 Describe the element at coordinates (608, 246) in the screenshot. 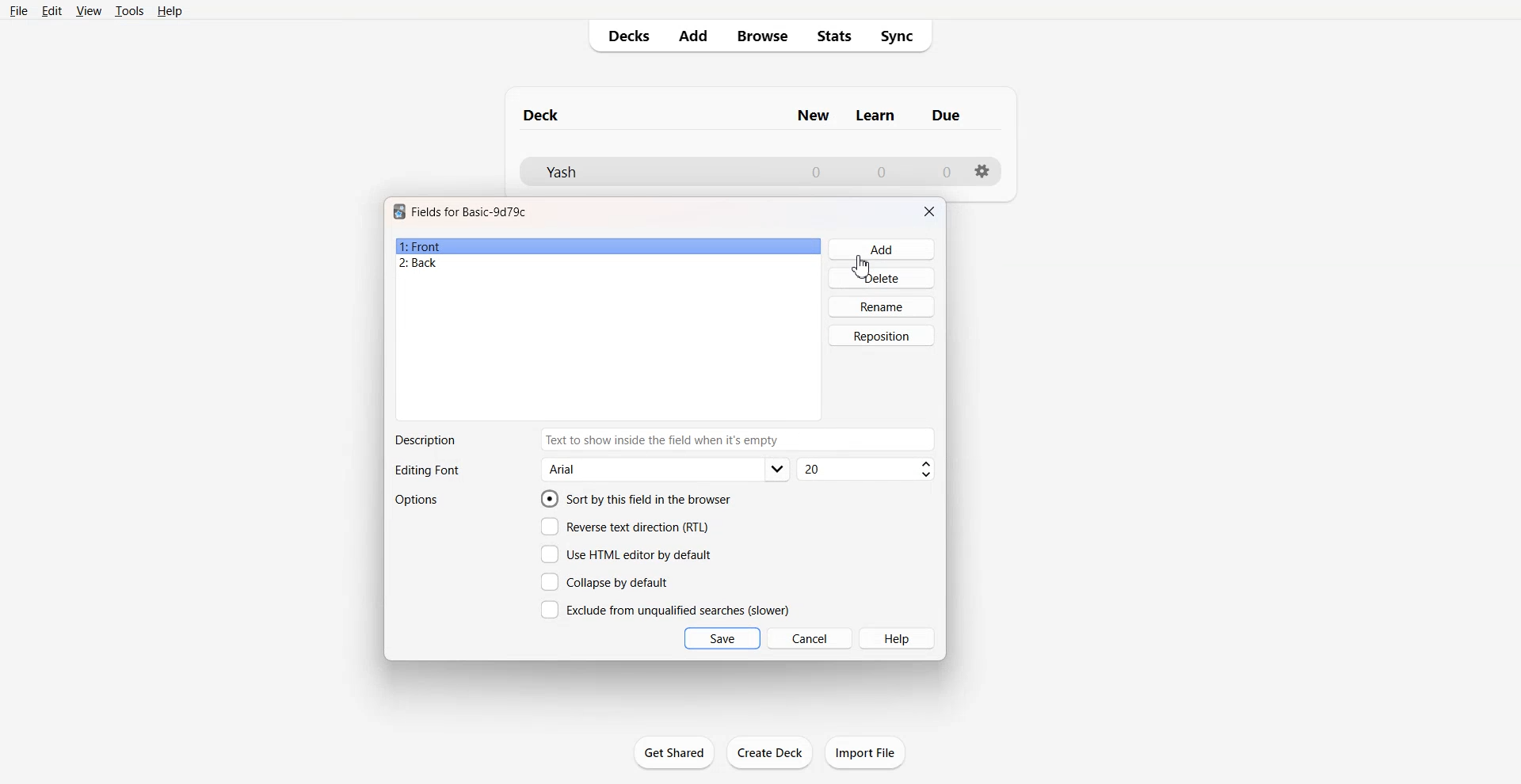

I see `Front` at that location.